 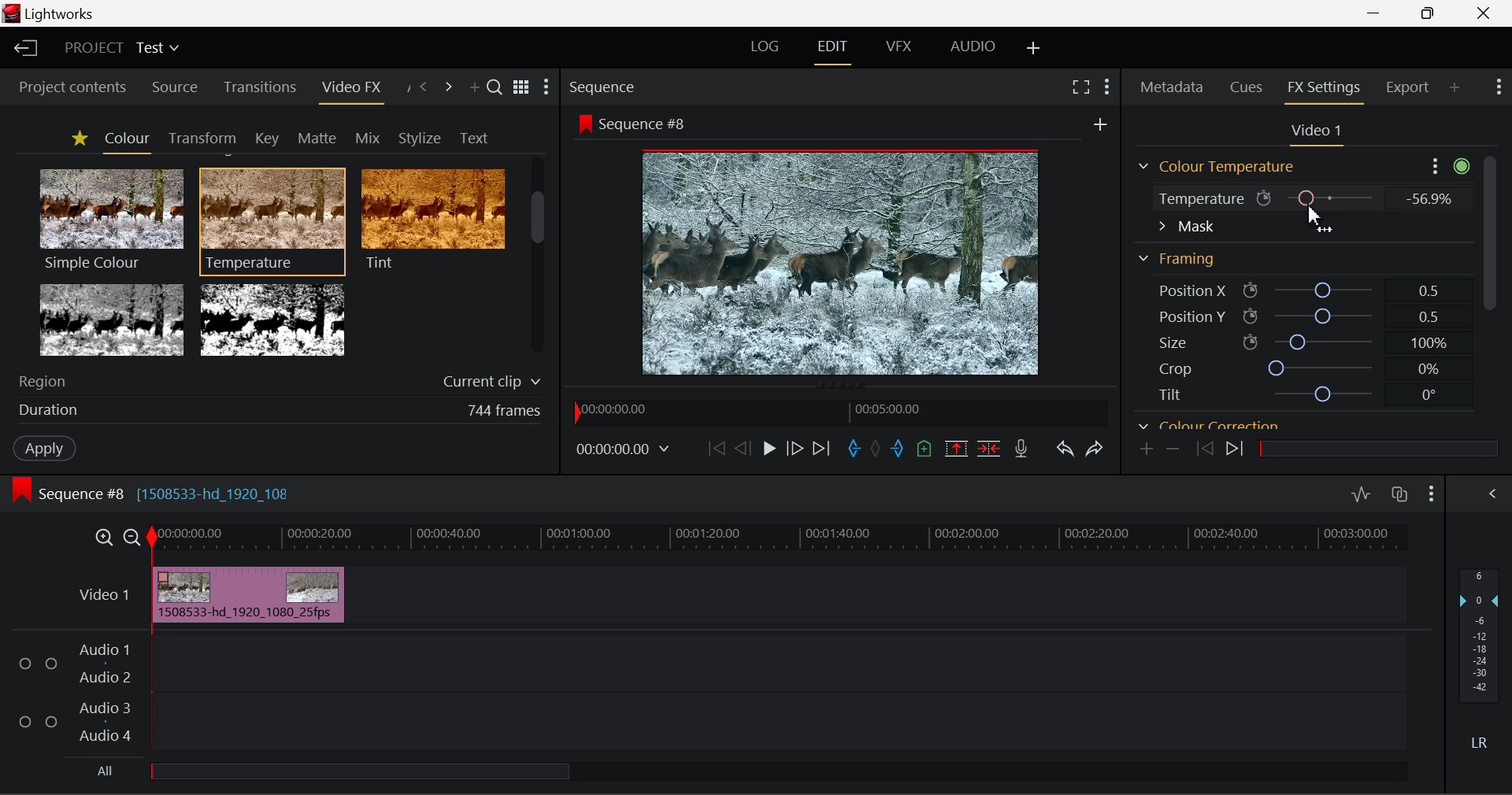 I want to click on Tilt, so click(x=1171, y=394).